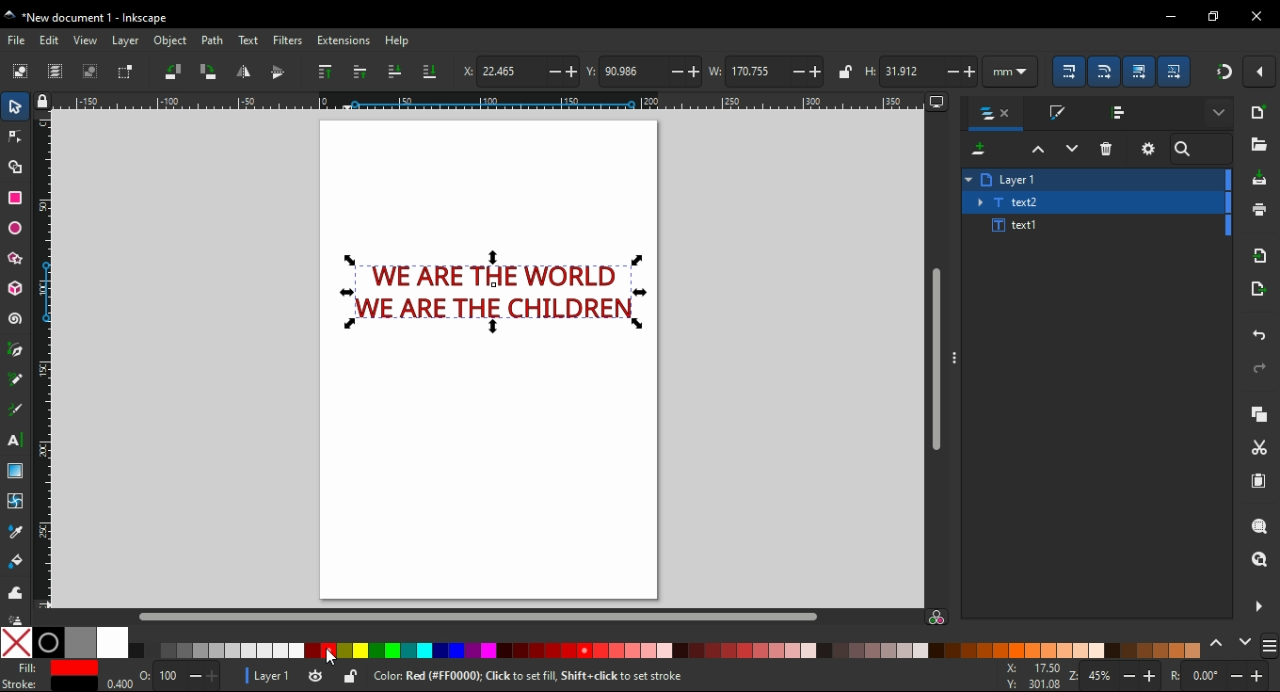 Image resolution: width=1280 pixels, height=692 pixels. What do you see at coordinates (18, 136) in the screenshot?
I see `node tool` at bounding box center [18, 136].